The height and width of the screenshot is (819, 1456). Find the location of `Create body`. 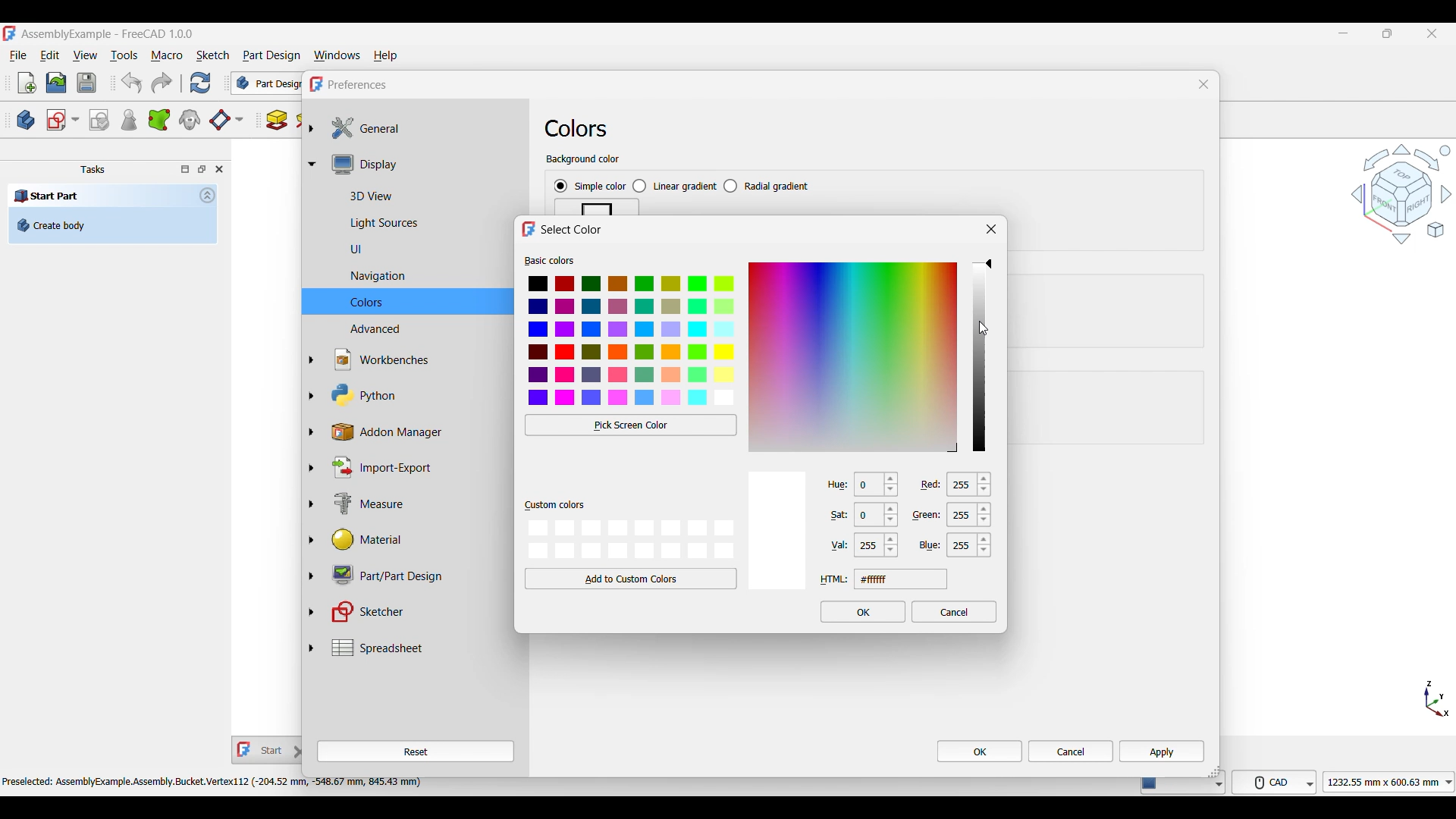

Create body is located at coordinates (26, 120).